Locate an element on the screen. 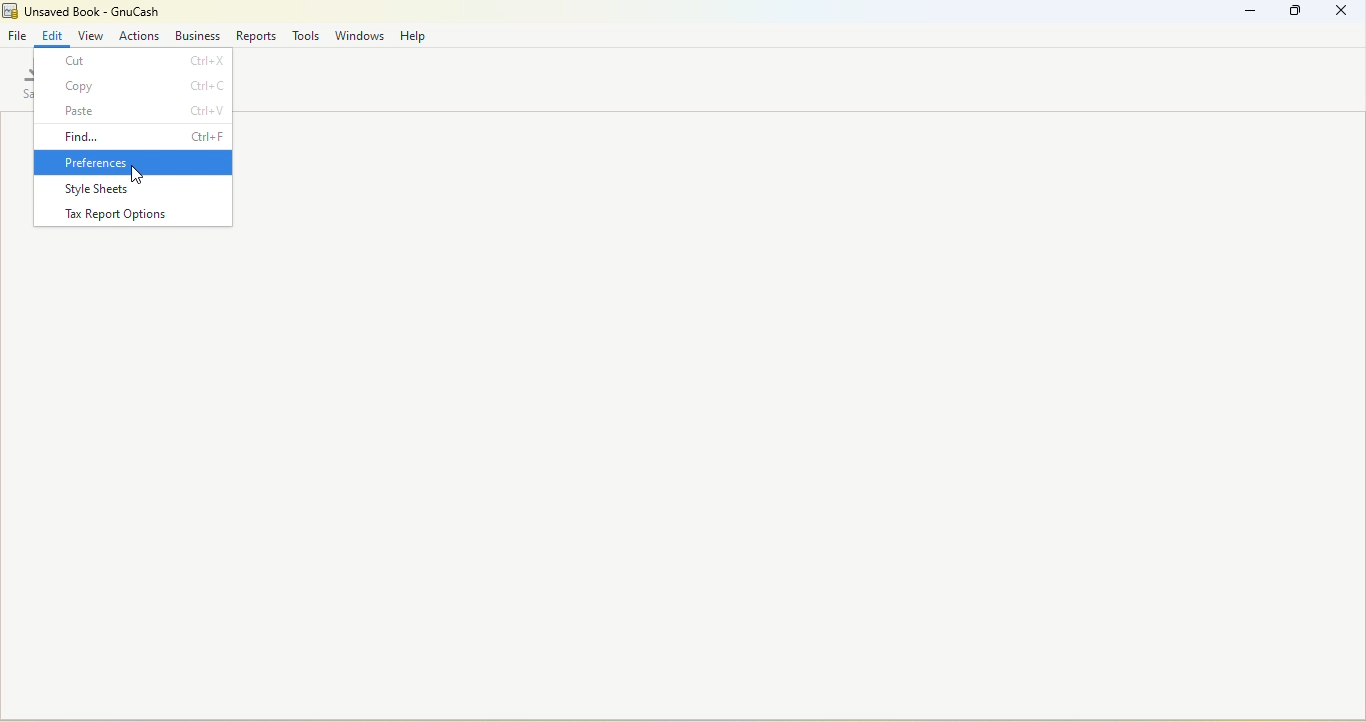 This screenshot has height=722, width=1366. Find is located at coordinates (130, 136).